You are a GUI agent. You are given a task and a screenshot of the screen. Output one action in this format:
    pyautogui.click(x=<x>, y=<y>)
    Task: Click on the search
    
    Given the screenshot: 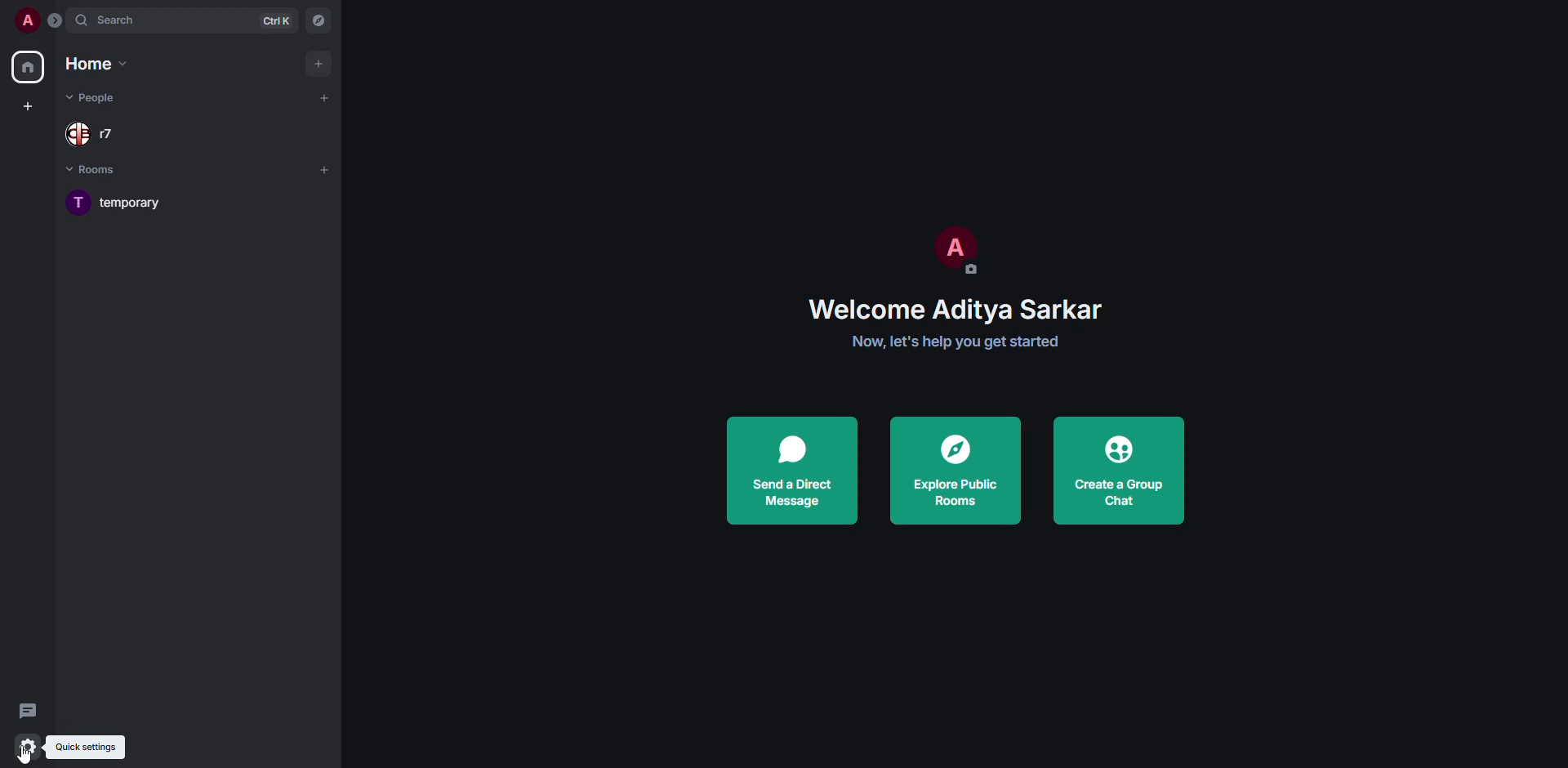 What is the action you would take?
    pyautogui.click(x=150, y=21)
    